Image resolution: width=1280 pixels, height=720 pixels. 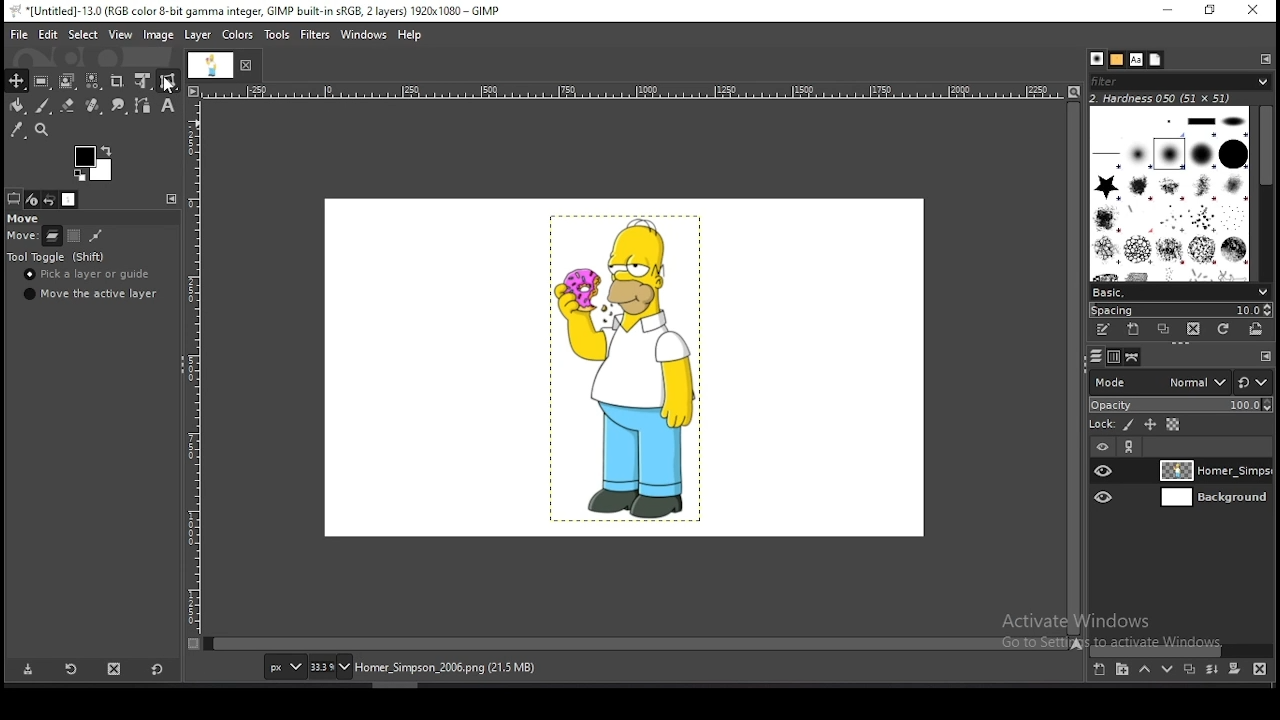 I want to click on home_simpsons_2006.png (21.5 mb), so click(x=444, y=669).